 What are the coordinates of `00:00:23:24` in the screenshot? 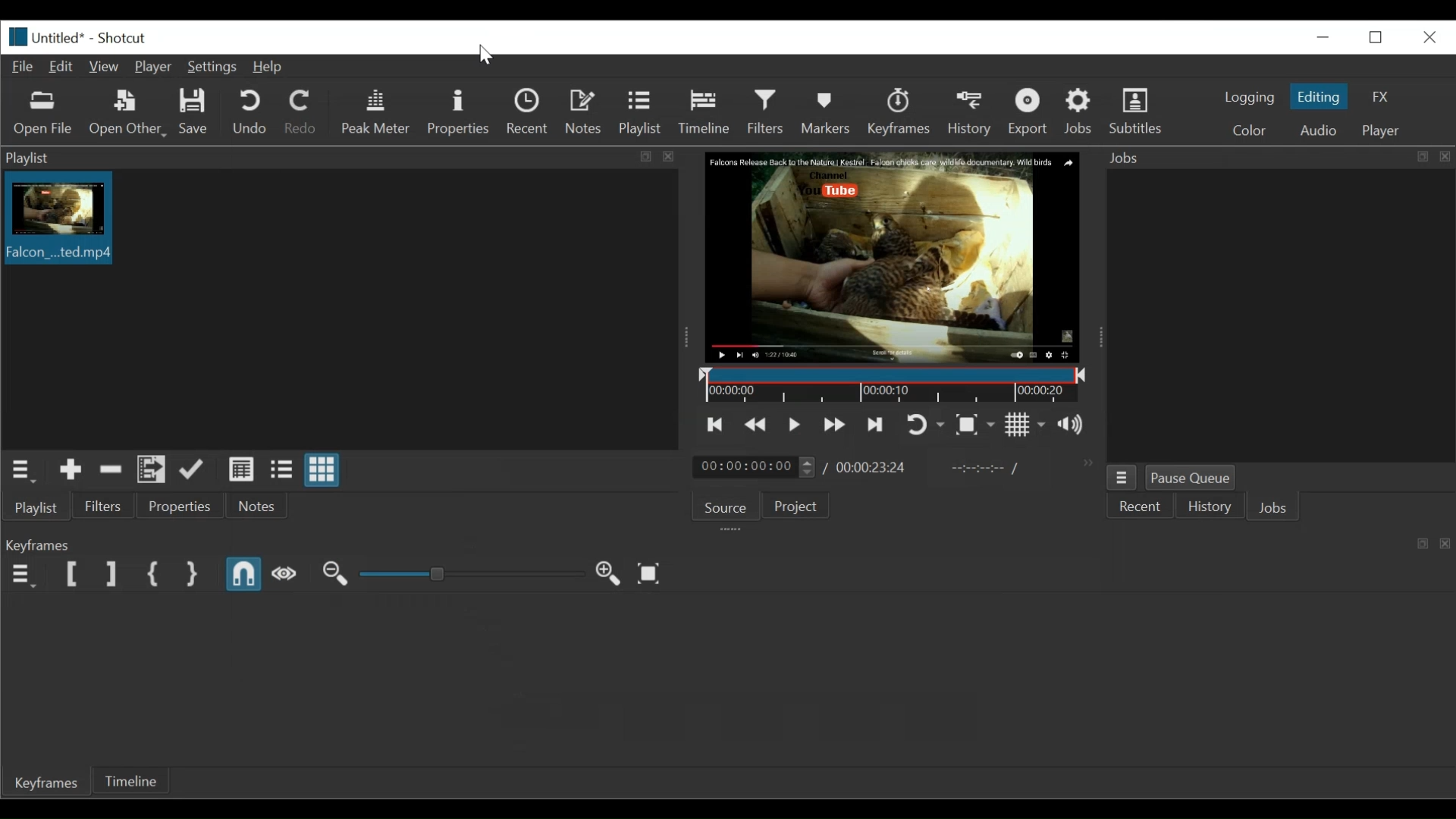 It's located at (873, 469).